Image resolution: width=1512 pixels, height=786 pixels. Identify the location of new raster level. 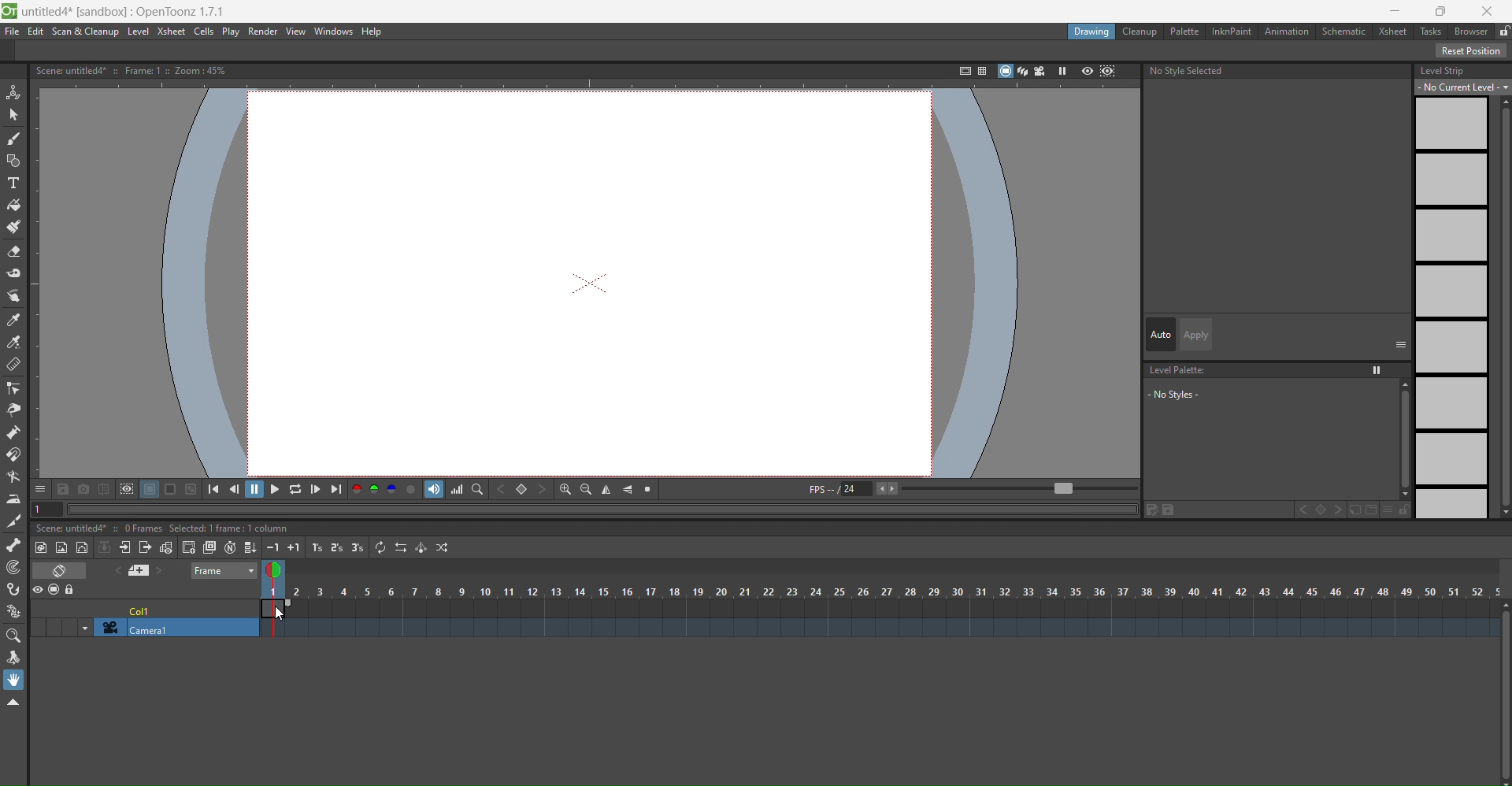
(62, 549).